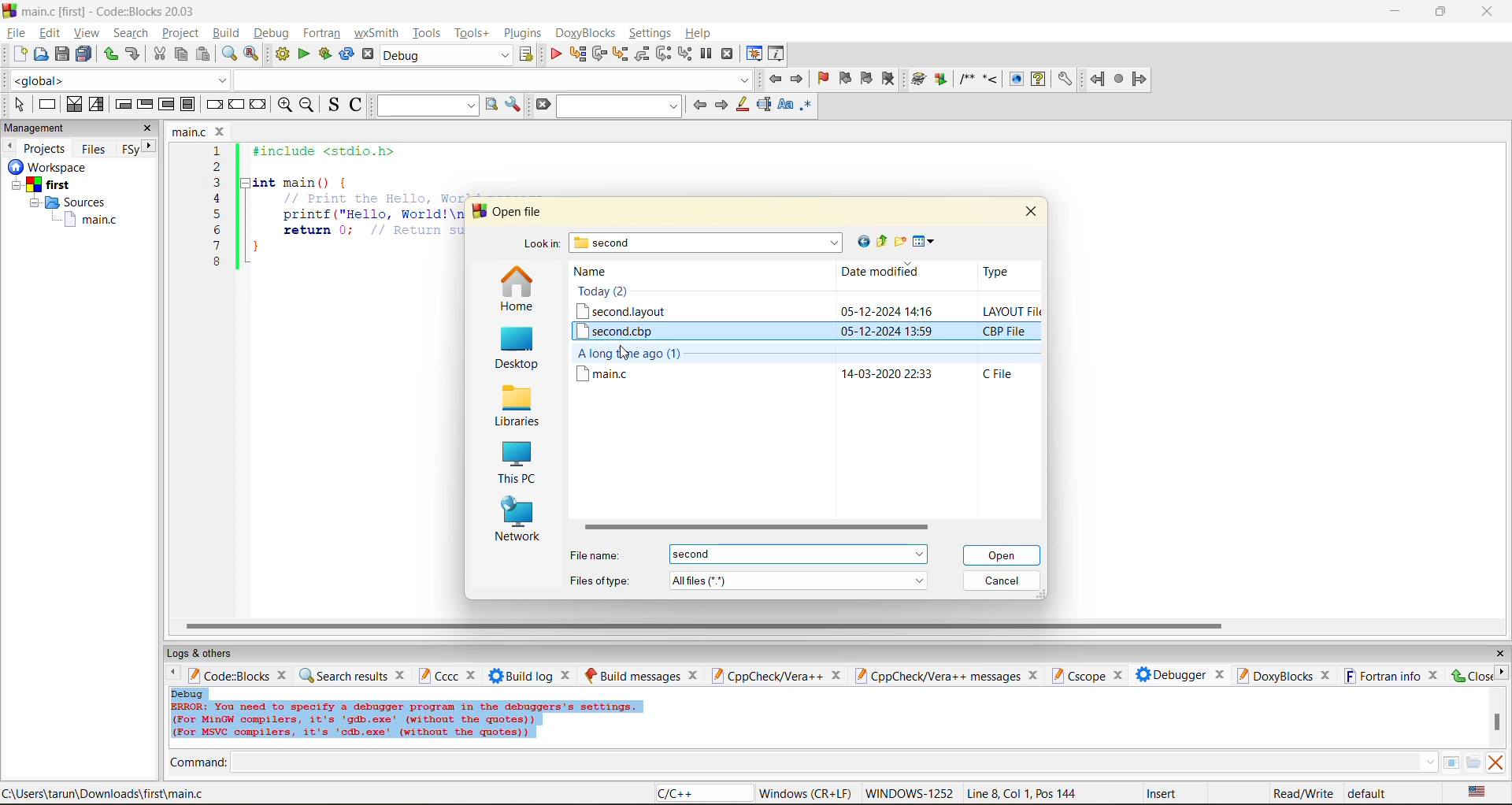 The height and width of the screenshot is (805, 1512). What do you see at coordinates (217, 198) in the screenshot?
I see `4` at bounding box center [217, 198].